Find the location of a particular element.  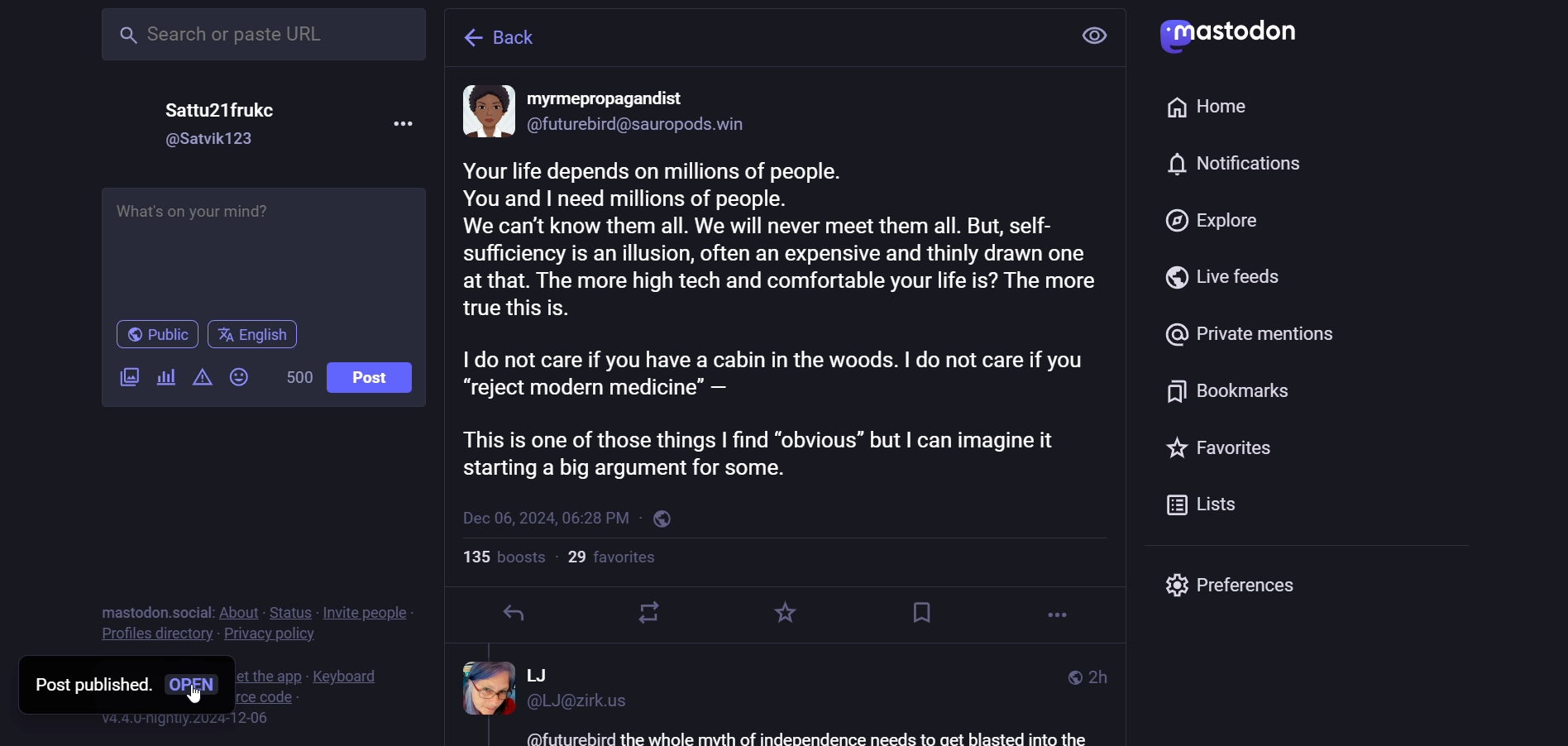

poll is located at coordinates (165, 378).